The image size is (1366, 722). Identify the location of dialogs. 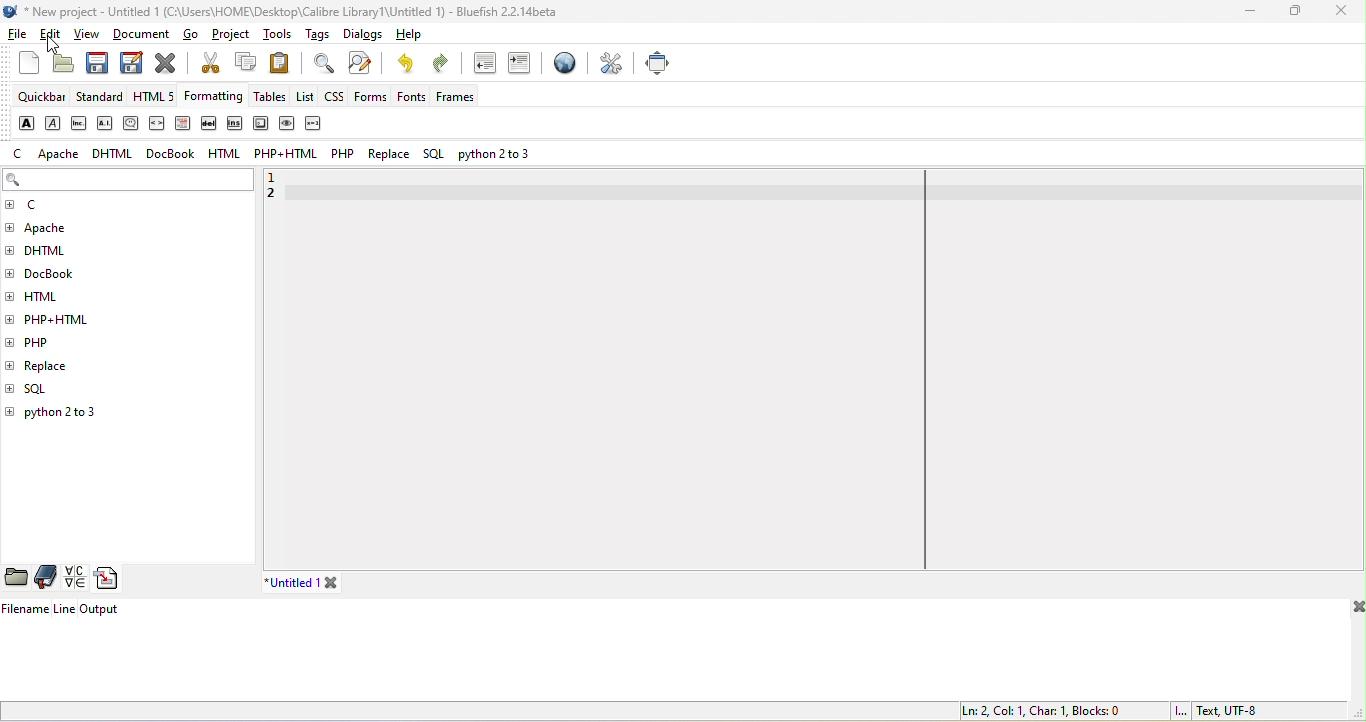
(359, 36).